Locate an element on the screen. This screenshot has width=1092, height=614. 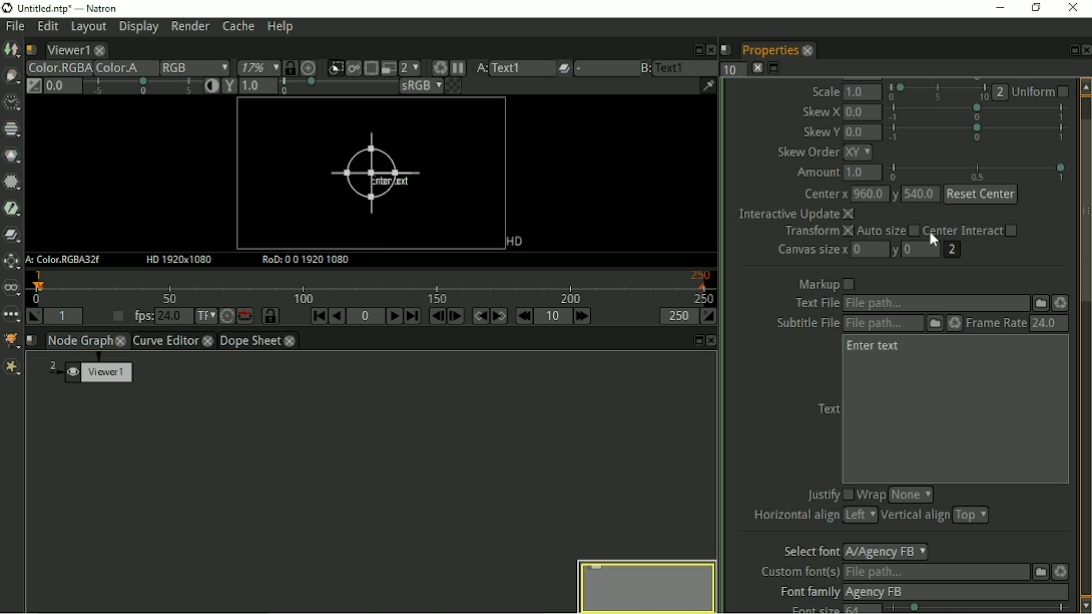
Layout is located at coordinates (87, 29).